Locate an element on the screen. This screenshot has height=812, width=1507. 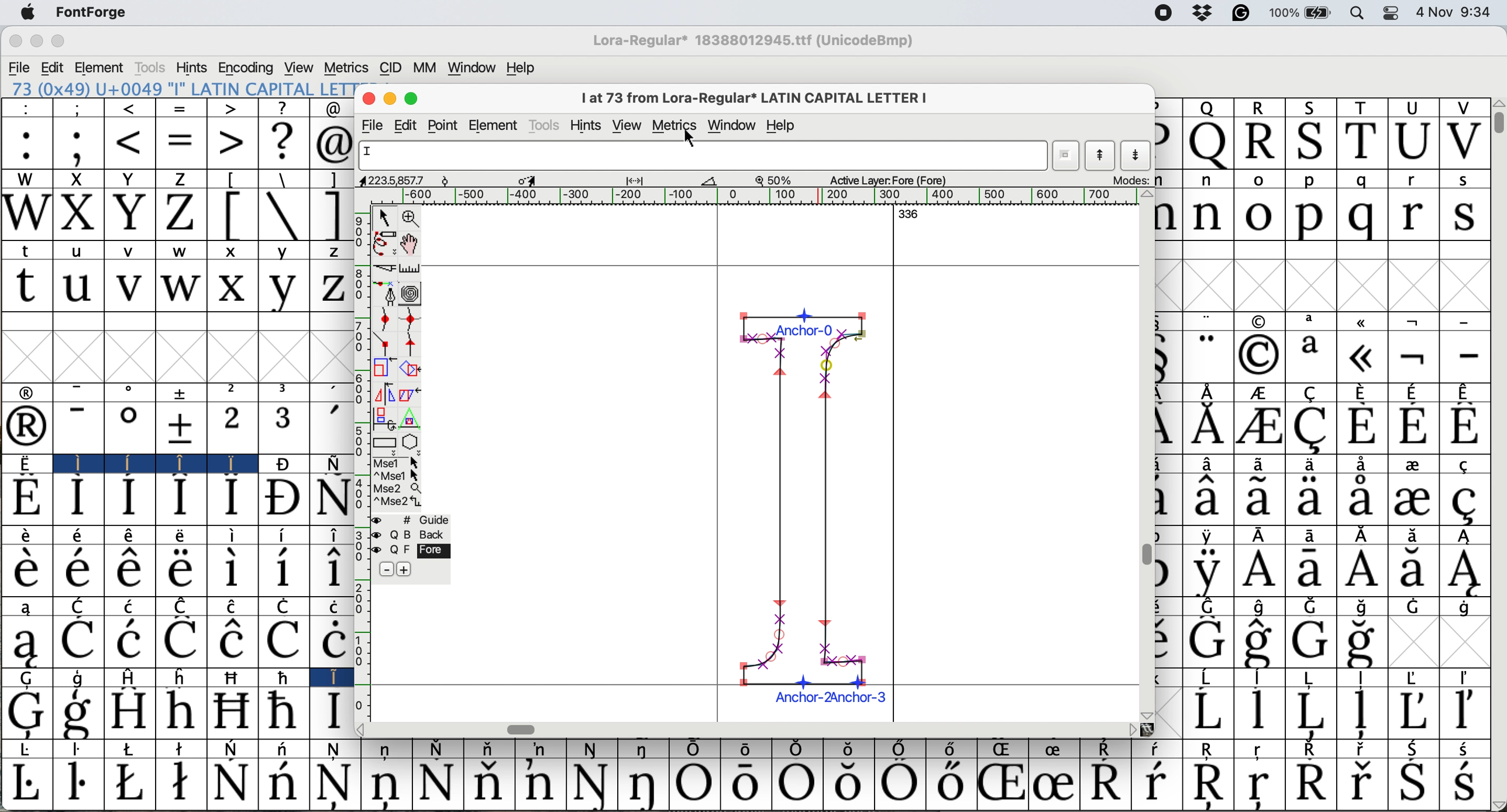
Symbol is located at coordinates (1465, 712).